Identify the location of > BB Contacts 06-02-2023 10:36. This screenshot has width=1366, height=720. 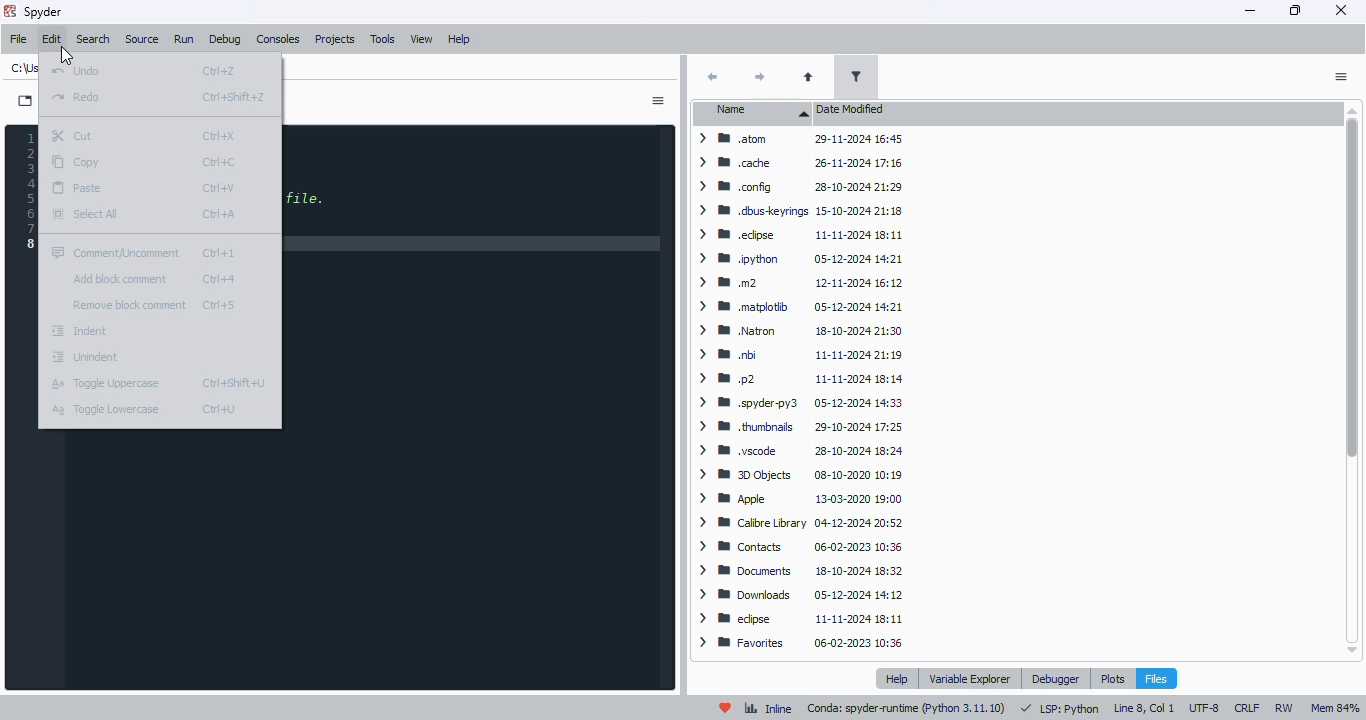
(798, 546).